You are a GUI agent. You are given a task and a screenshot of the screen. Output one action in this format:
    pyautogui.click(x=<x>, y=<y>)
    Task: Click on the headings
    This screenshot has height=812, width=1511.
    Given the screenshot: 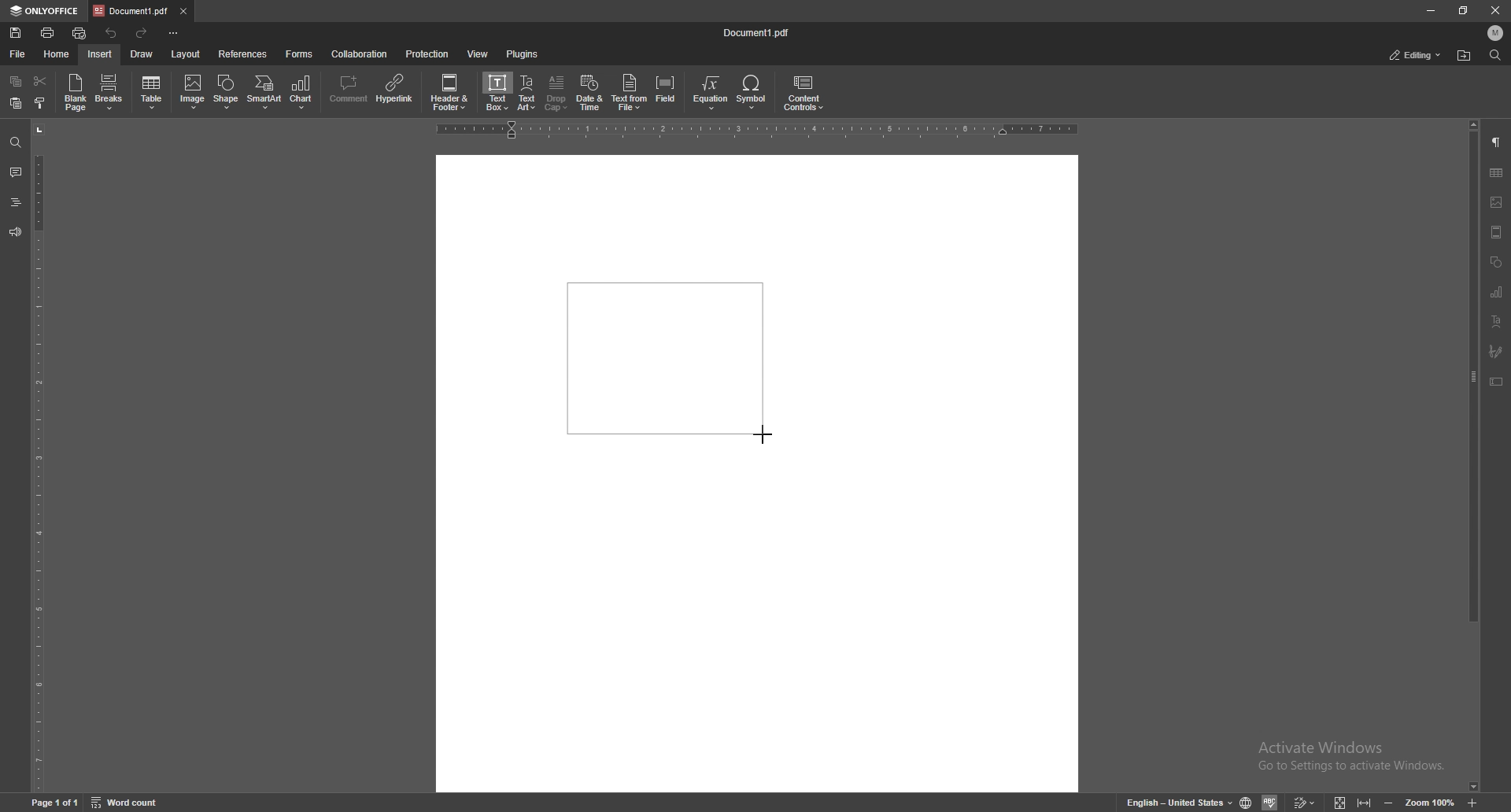 What is the action you would take?
    pyautogui.click(x=15, y=202)
    